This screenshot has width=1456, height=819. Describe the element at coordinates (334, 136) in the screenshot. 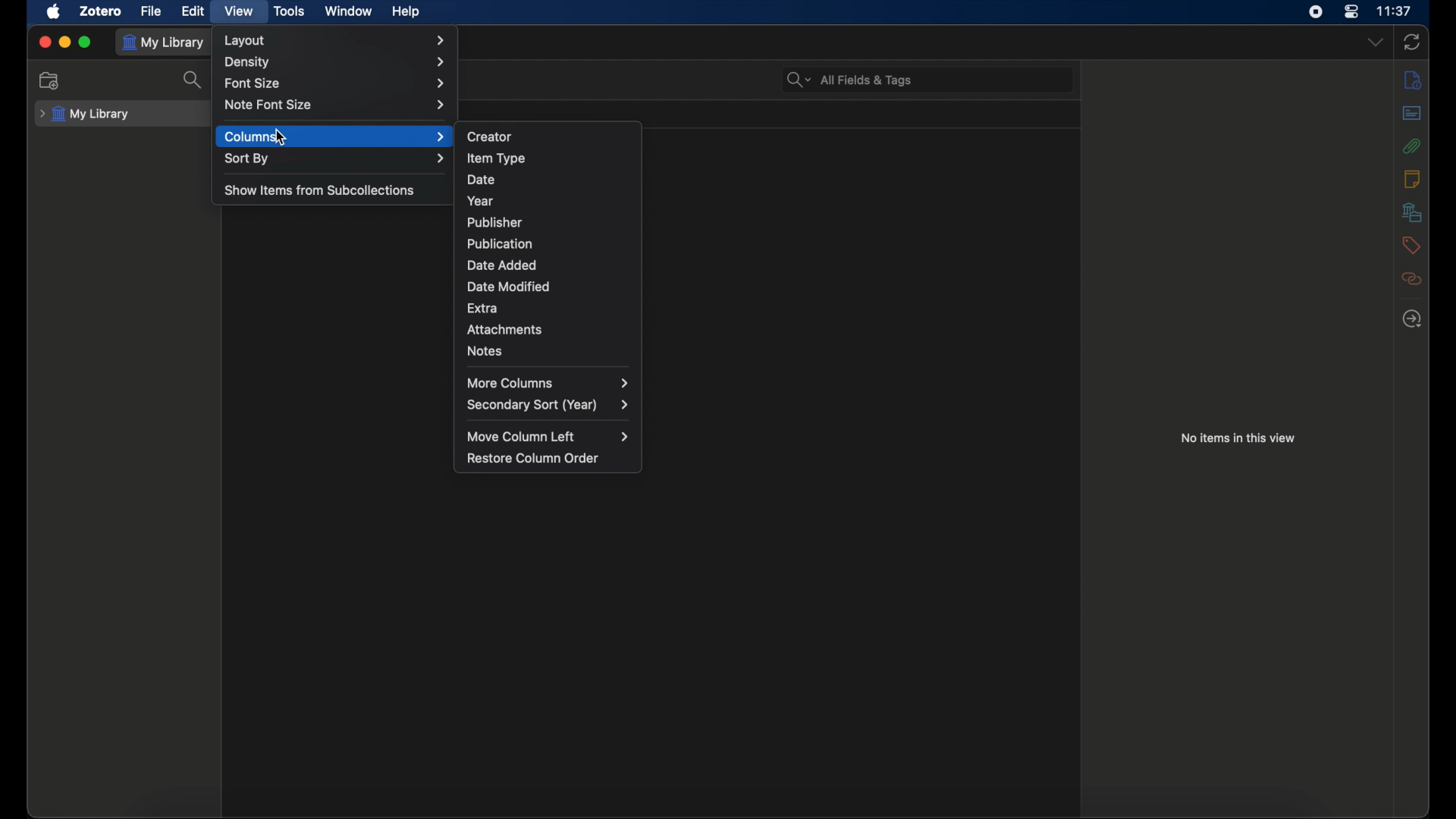

I see `columns` at that location.